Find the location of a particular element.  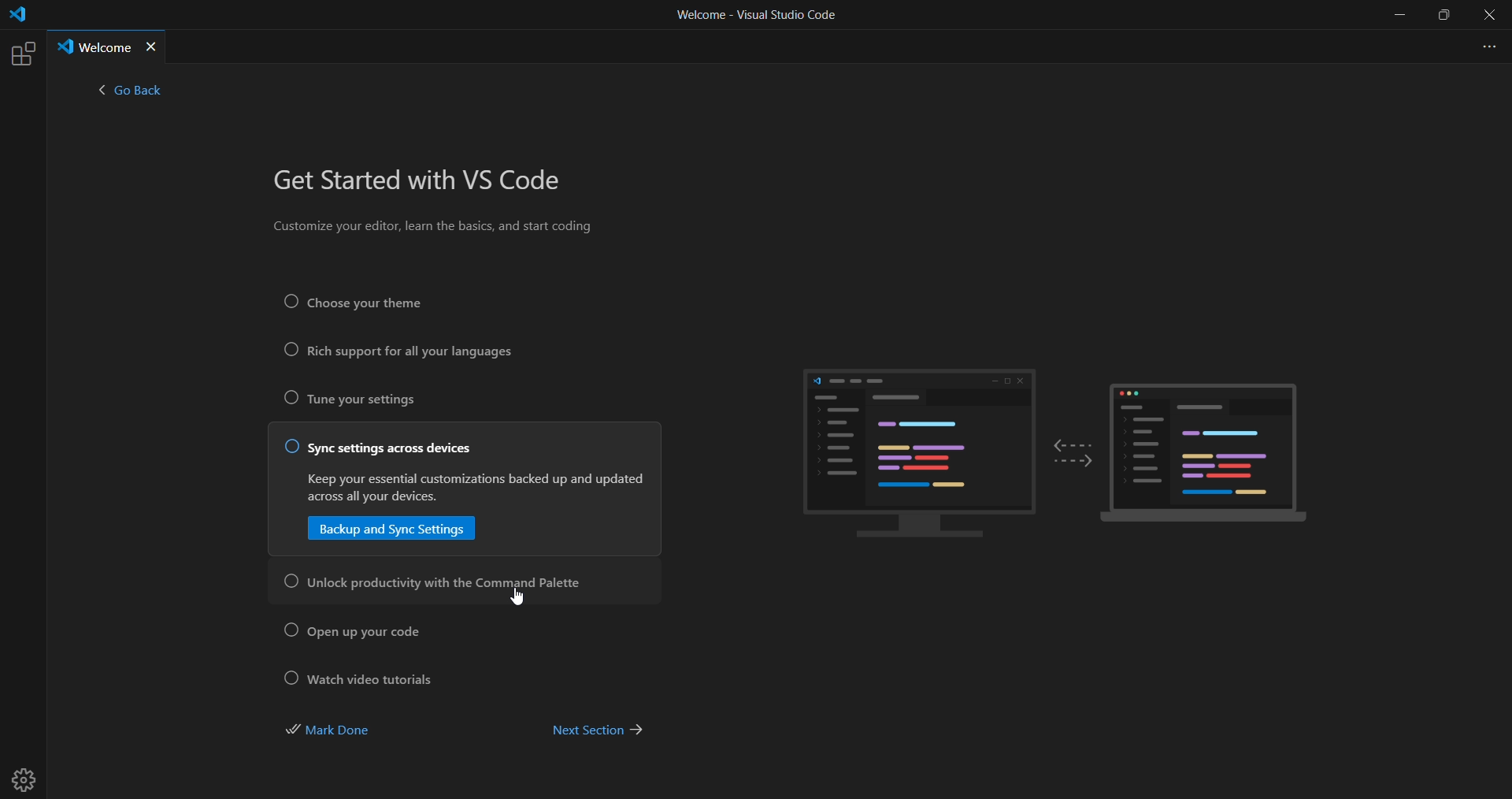

unlock productivity with the command palette is located at coordinates (435, 580).